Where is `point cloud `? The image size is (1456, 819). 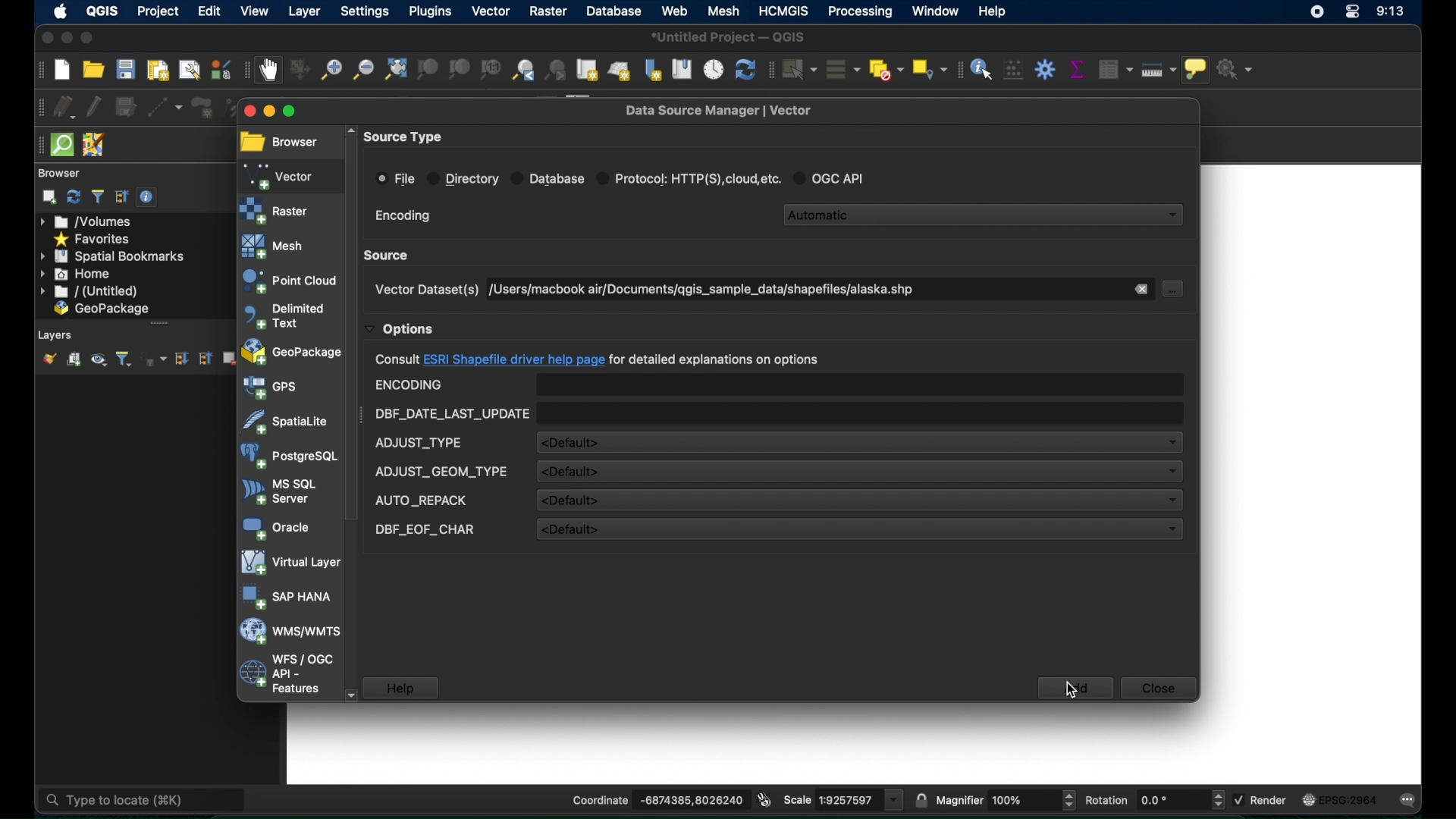
point cloud  is located at coordinates (288, 281).